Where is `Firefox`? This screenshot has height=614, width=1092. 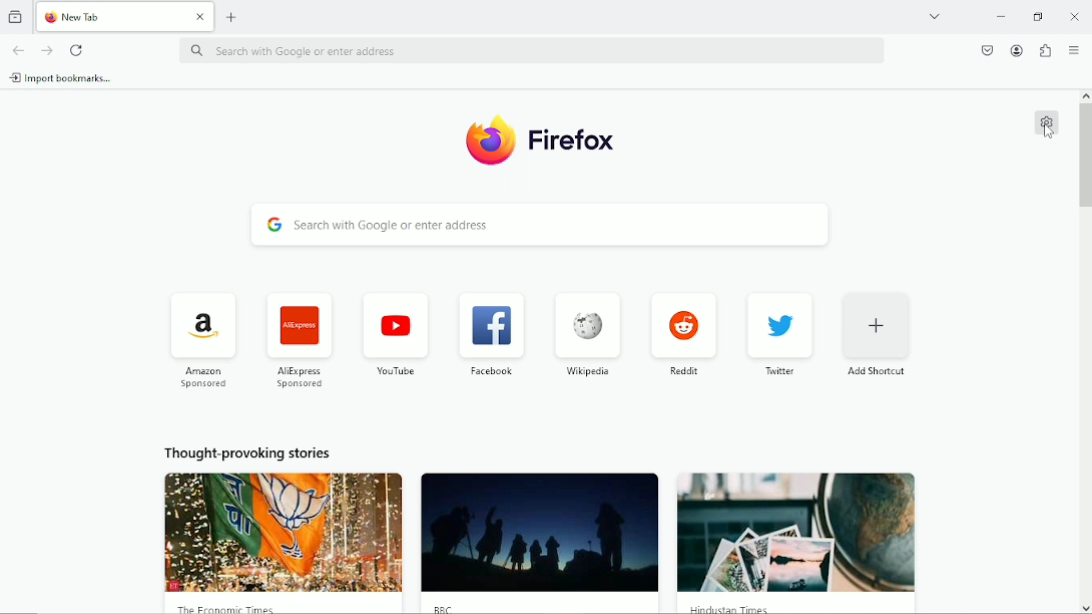
Firefox is located at coordinates (576, 144).